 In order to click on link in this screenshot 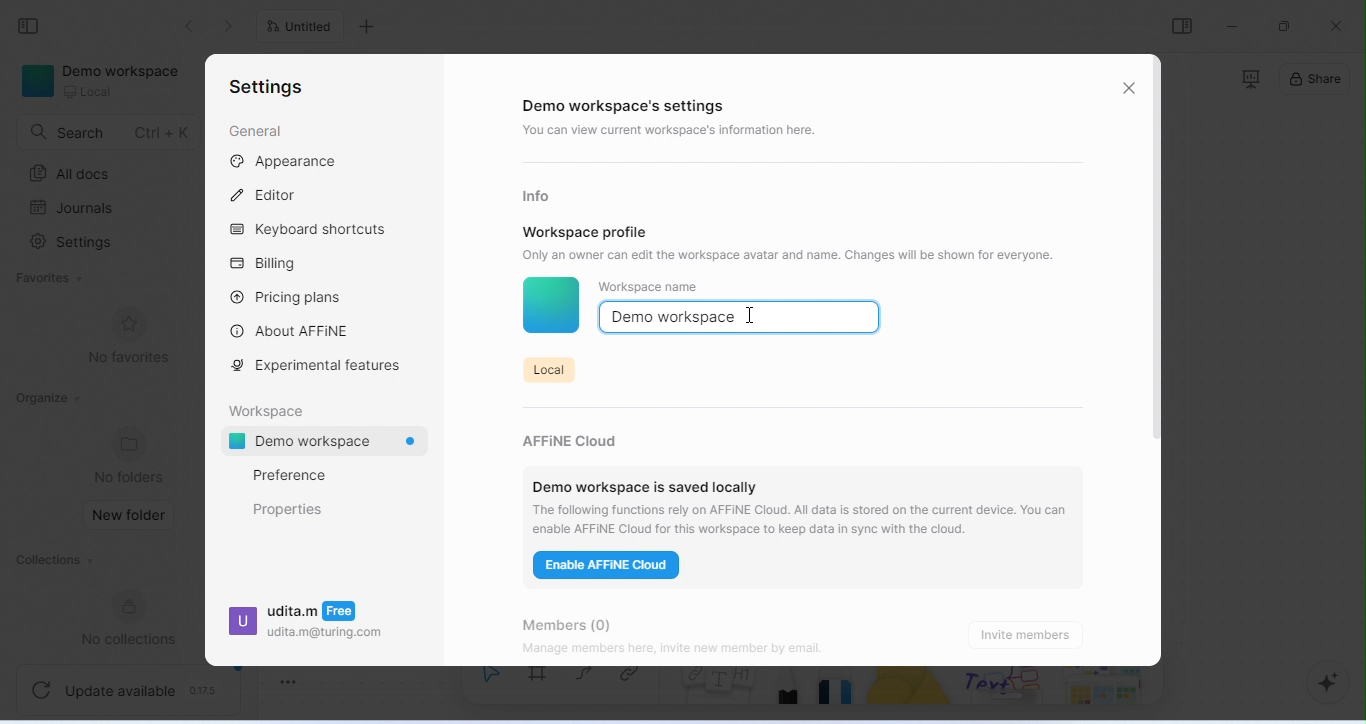, I will do `click(637, 683)`.